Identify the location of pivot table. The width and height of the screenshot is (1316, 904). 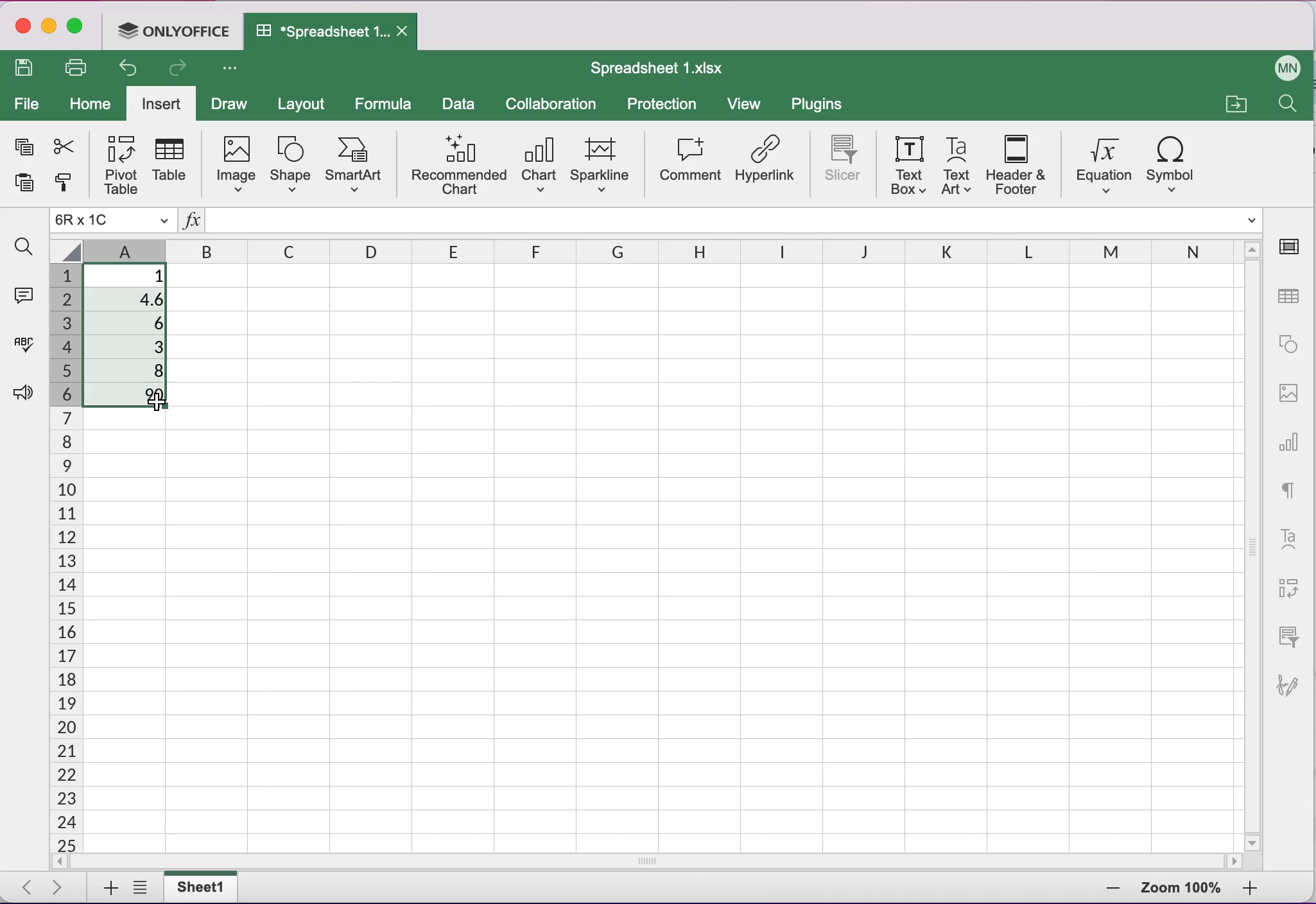
(1290, 592).